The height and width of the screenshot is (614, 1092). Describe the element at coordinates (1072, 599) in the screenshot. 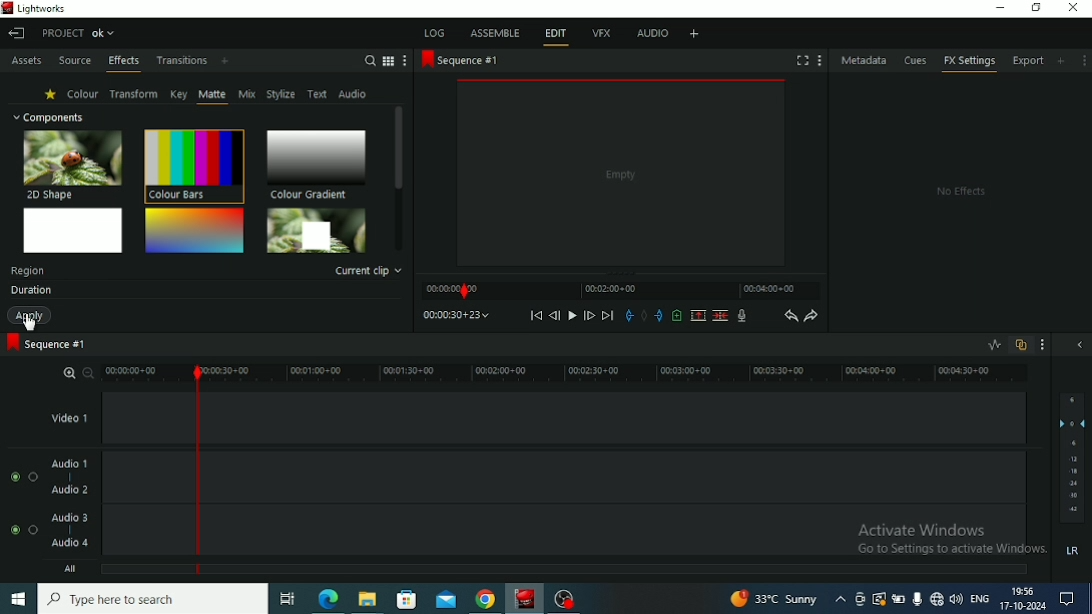

I see `Message` at that location.